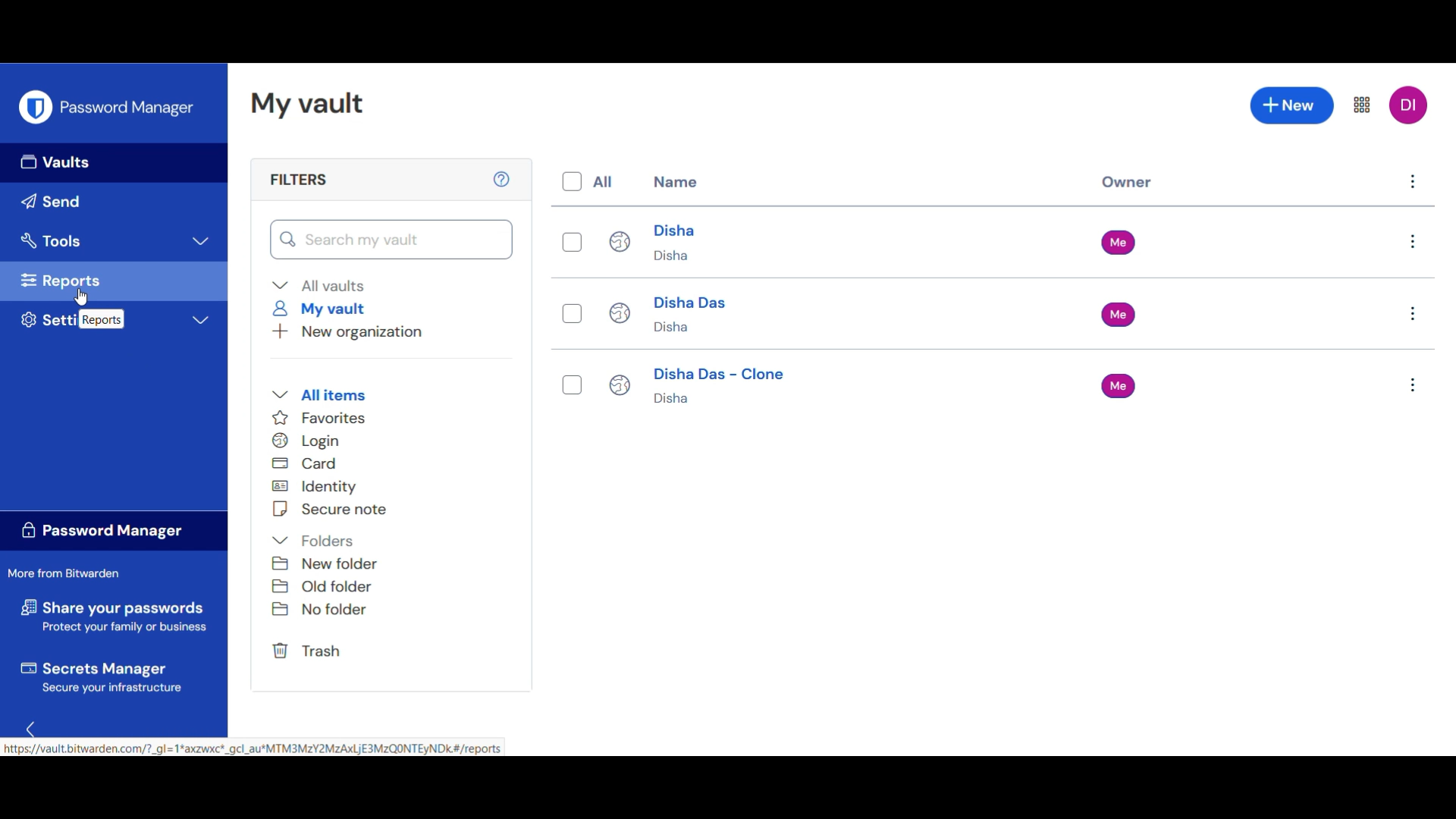  I want to click on Bitwarden logo, so click(35, 107).